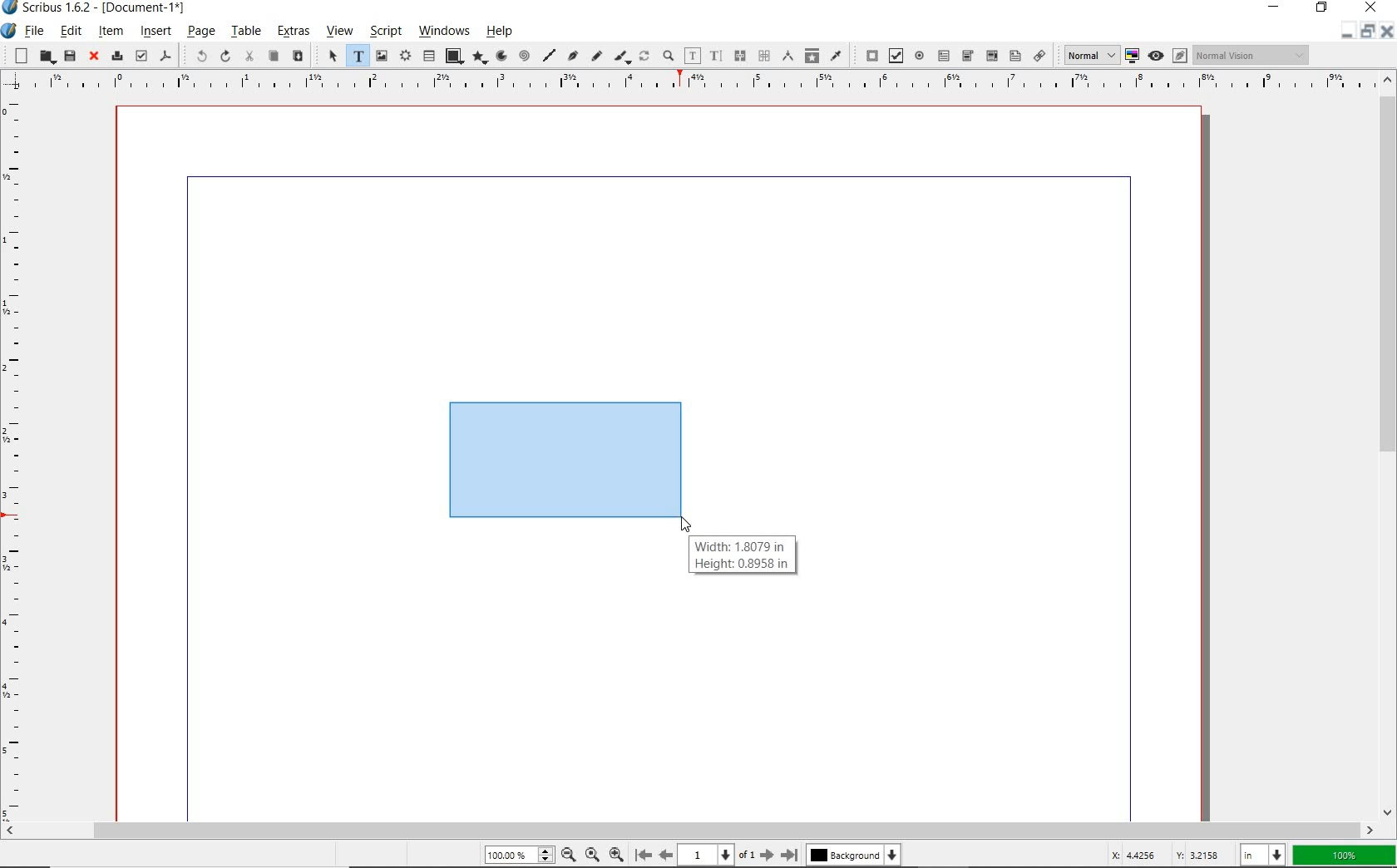  What do you see at coordinates (428, 57) in the screenshot?
I see `table` at bounding box center [428, 57].